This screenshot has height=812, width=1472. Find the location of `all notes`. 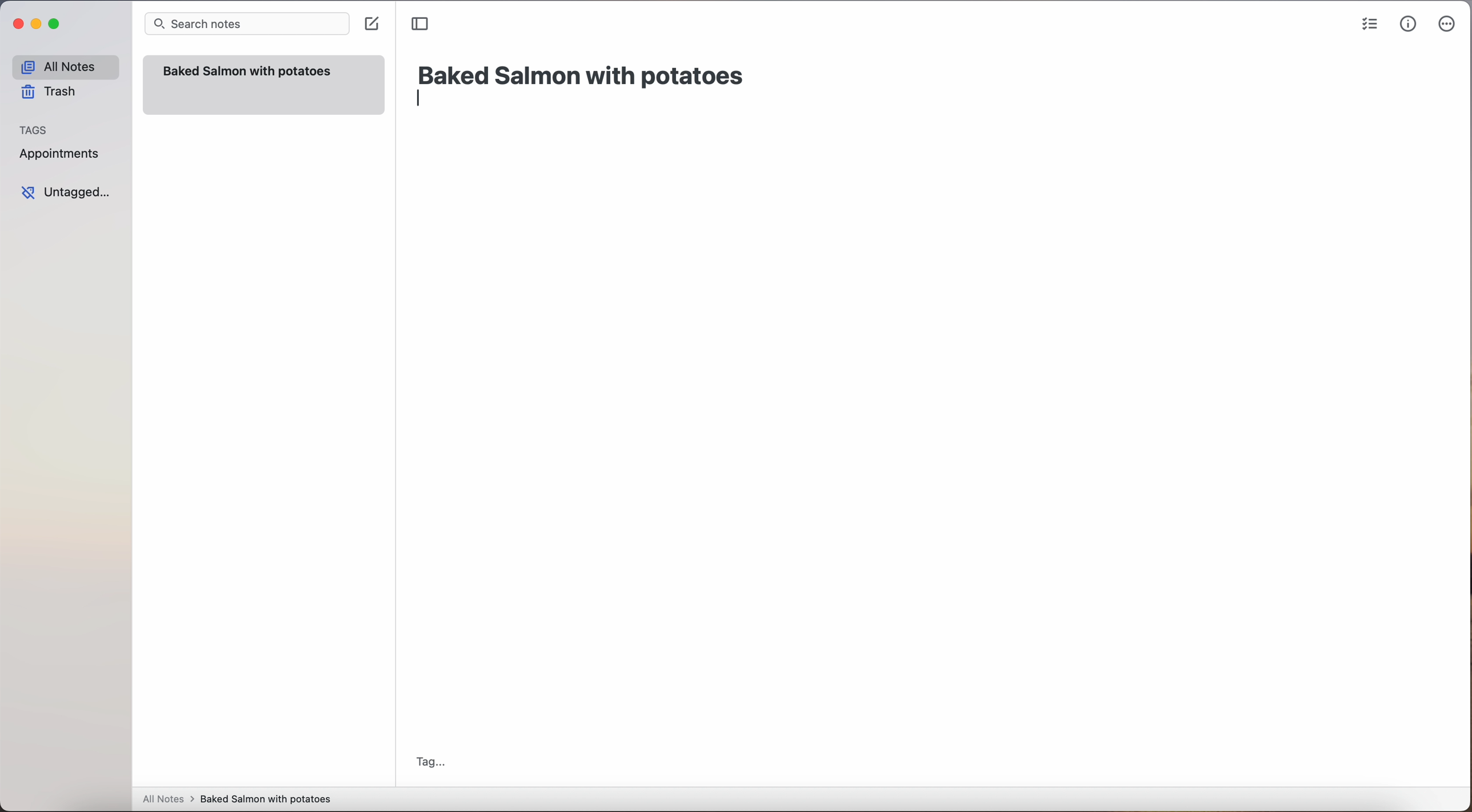

all notes is located at coordinates (65, 66).